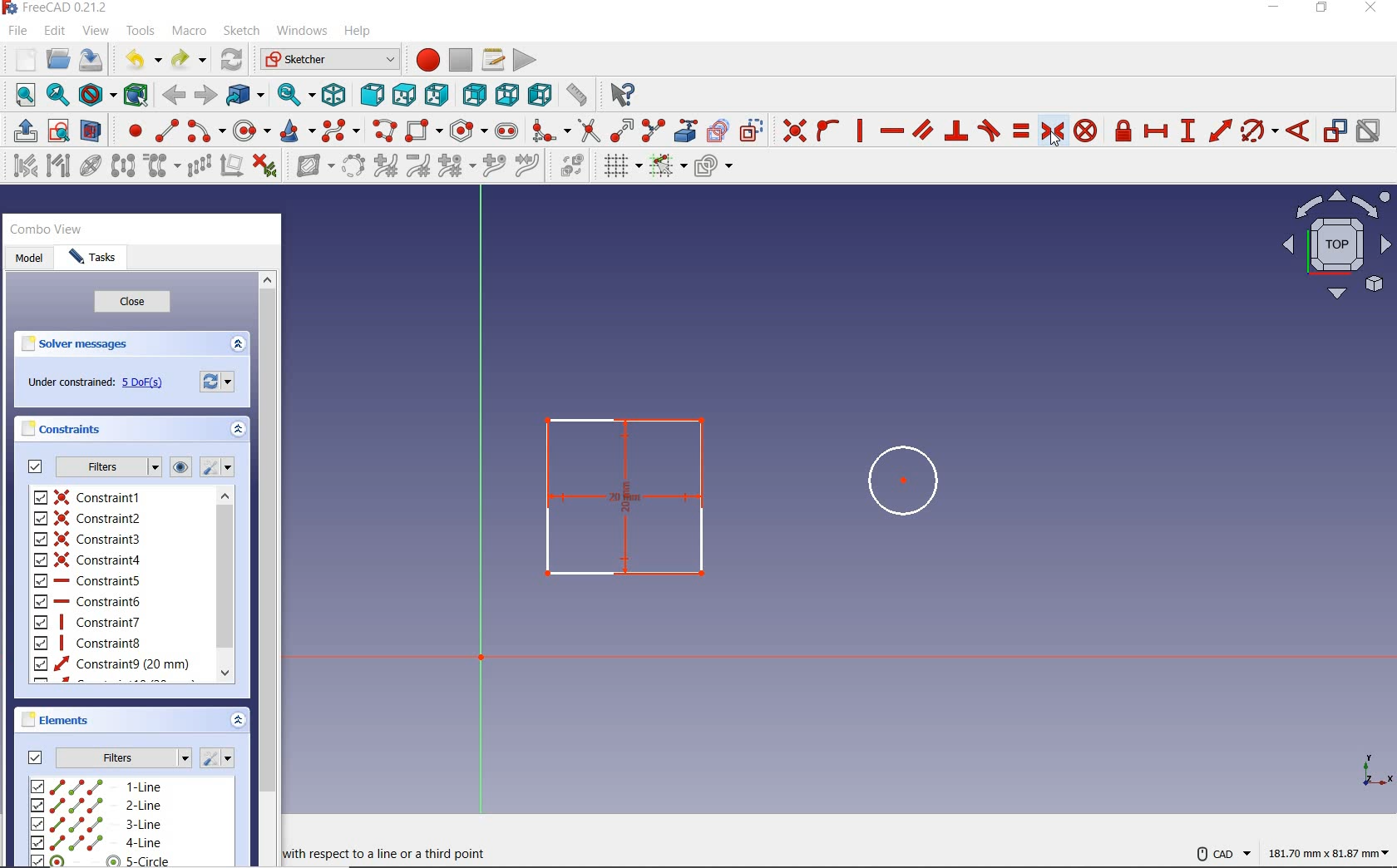 The image size is (1397, 868). What do you see at coordinates (190, 30) in the screenshot?
I see `macro` at bounding box center [190, 30].